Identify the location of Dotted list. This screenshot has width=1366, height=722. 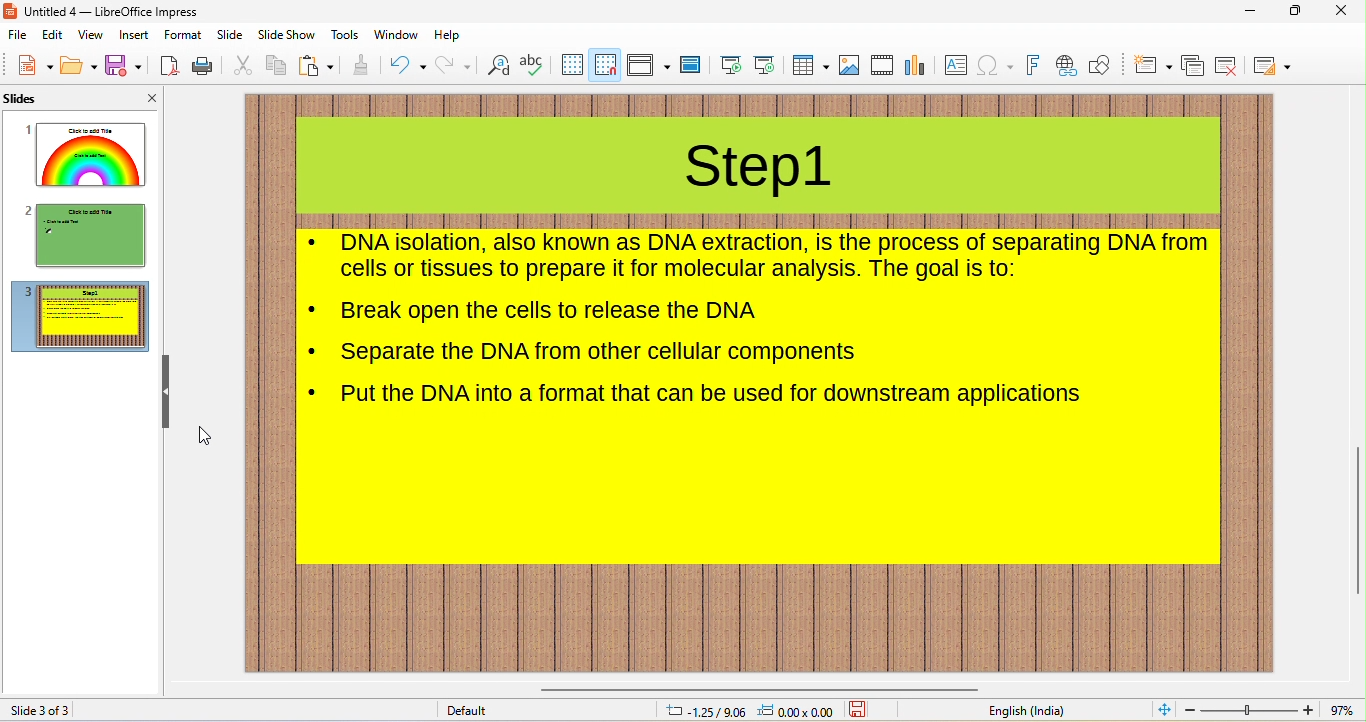
(313, 391).